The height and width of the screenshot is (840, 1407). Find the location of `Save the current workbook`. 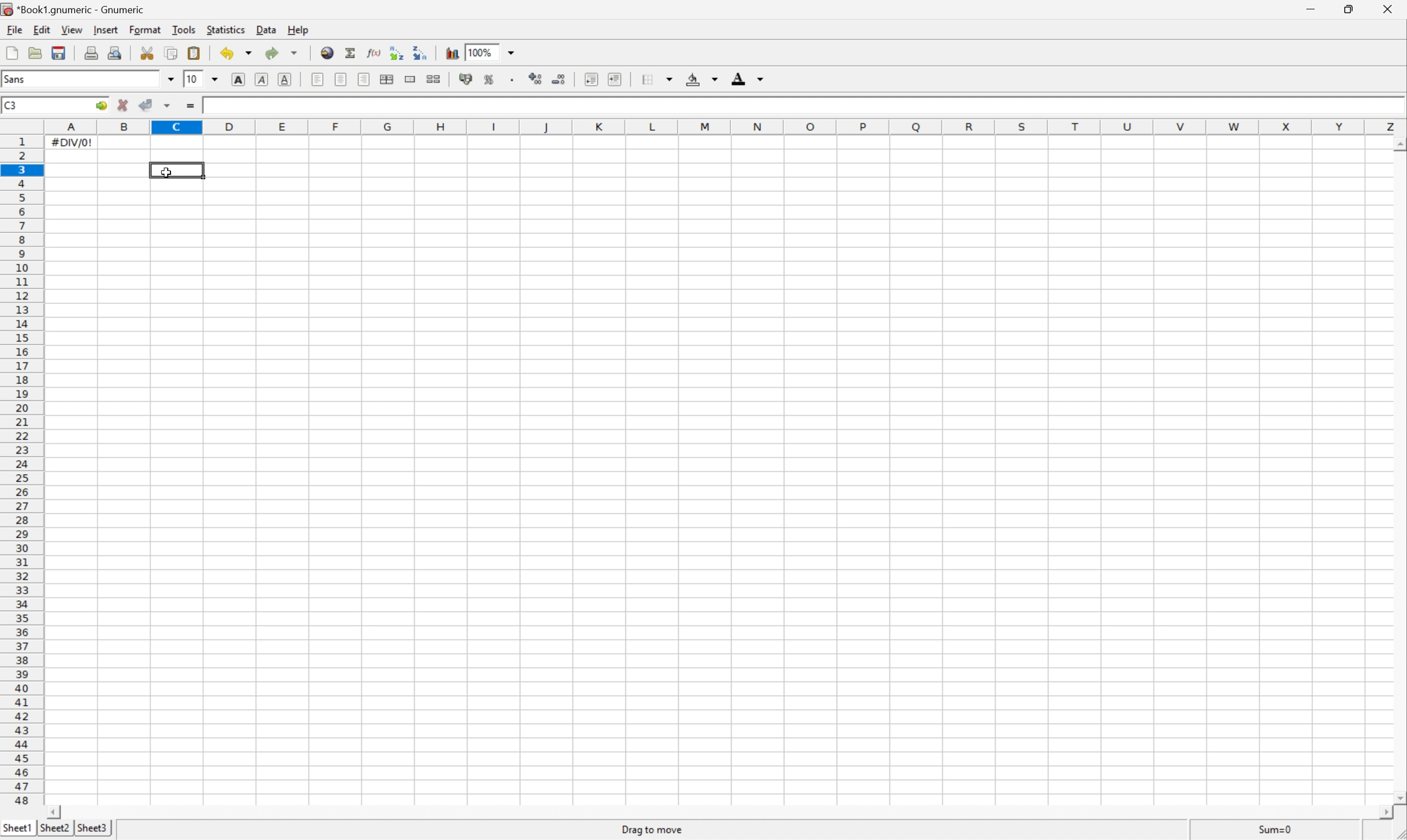

Save the current workbook is located at coordinates (60, 53).